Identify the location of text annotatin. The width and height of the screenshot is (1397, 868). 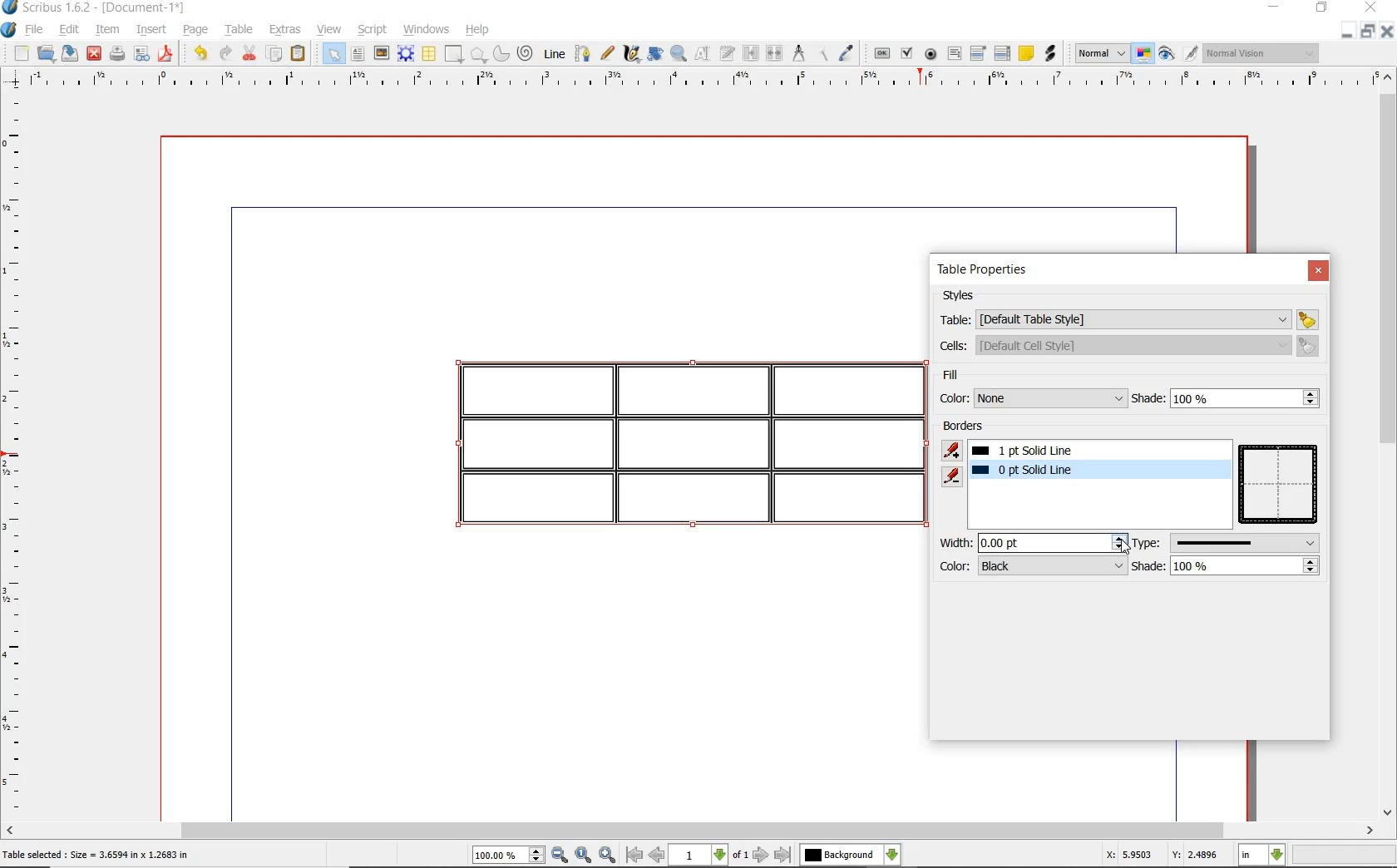
(1026, 52).